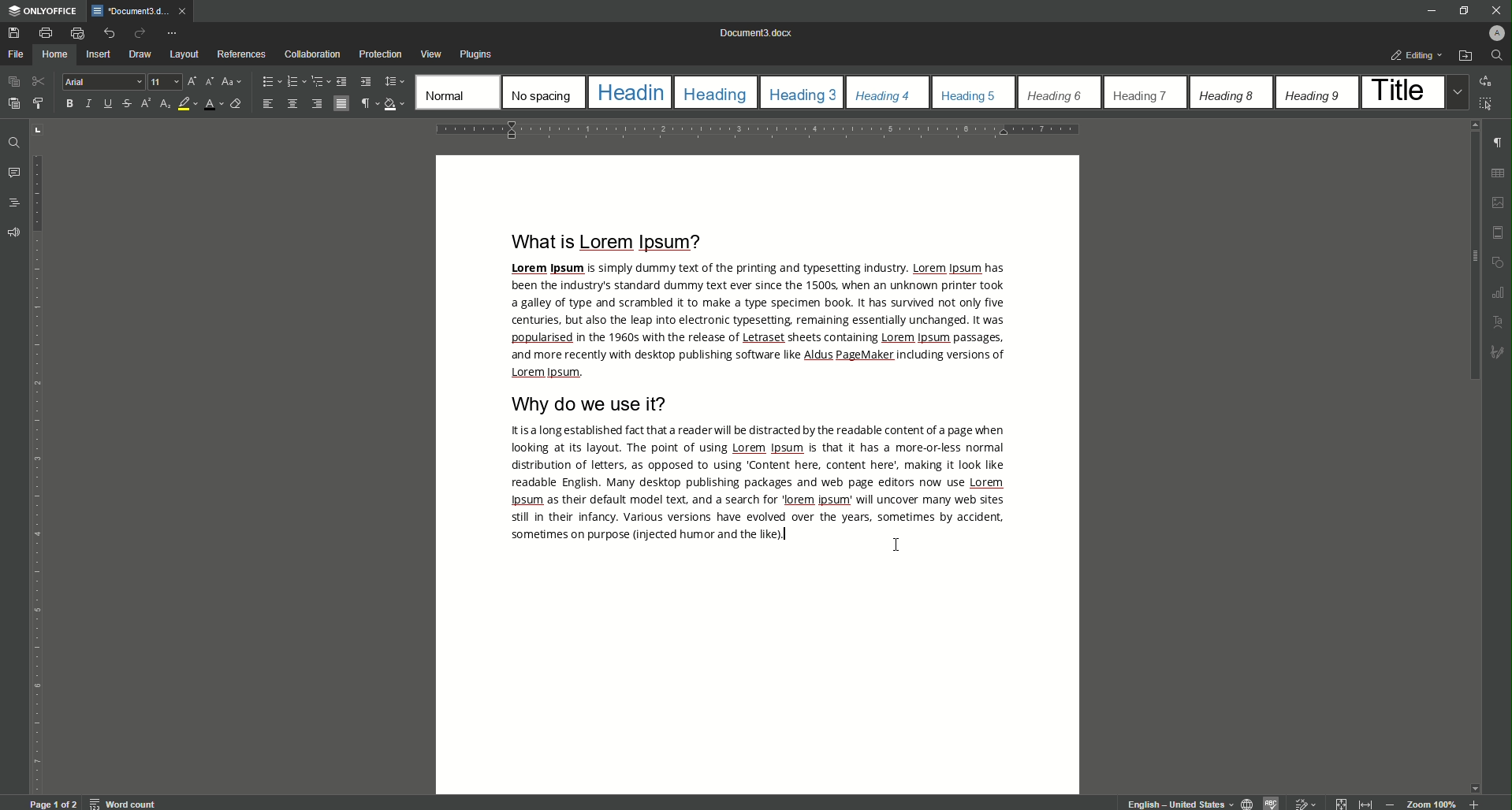  Describe the element at coordinates (161, 82) in the screenshot. I see `Font Size` at that location.